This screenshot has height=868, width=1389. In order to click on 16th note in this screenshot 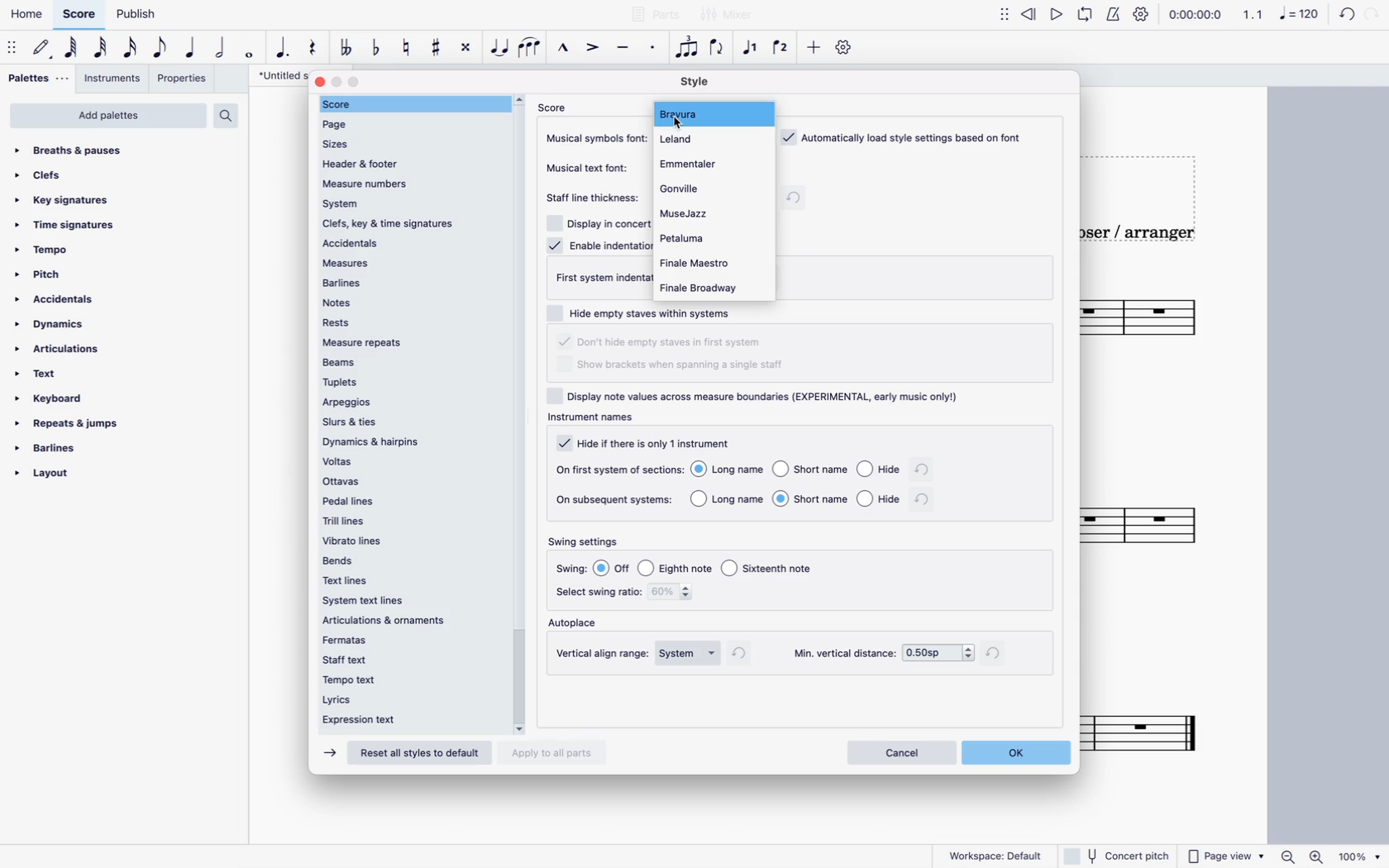, I will do `click(133, 51)`.